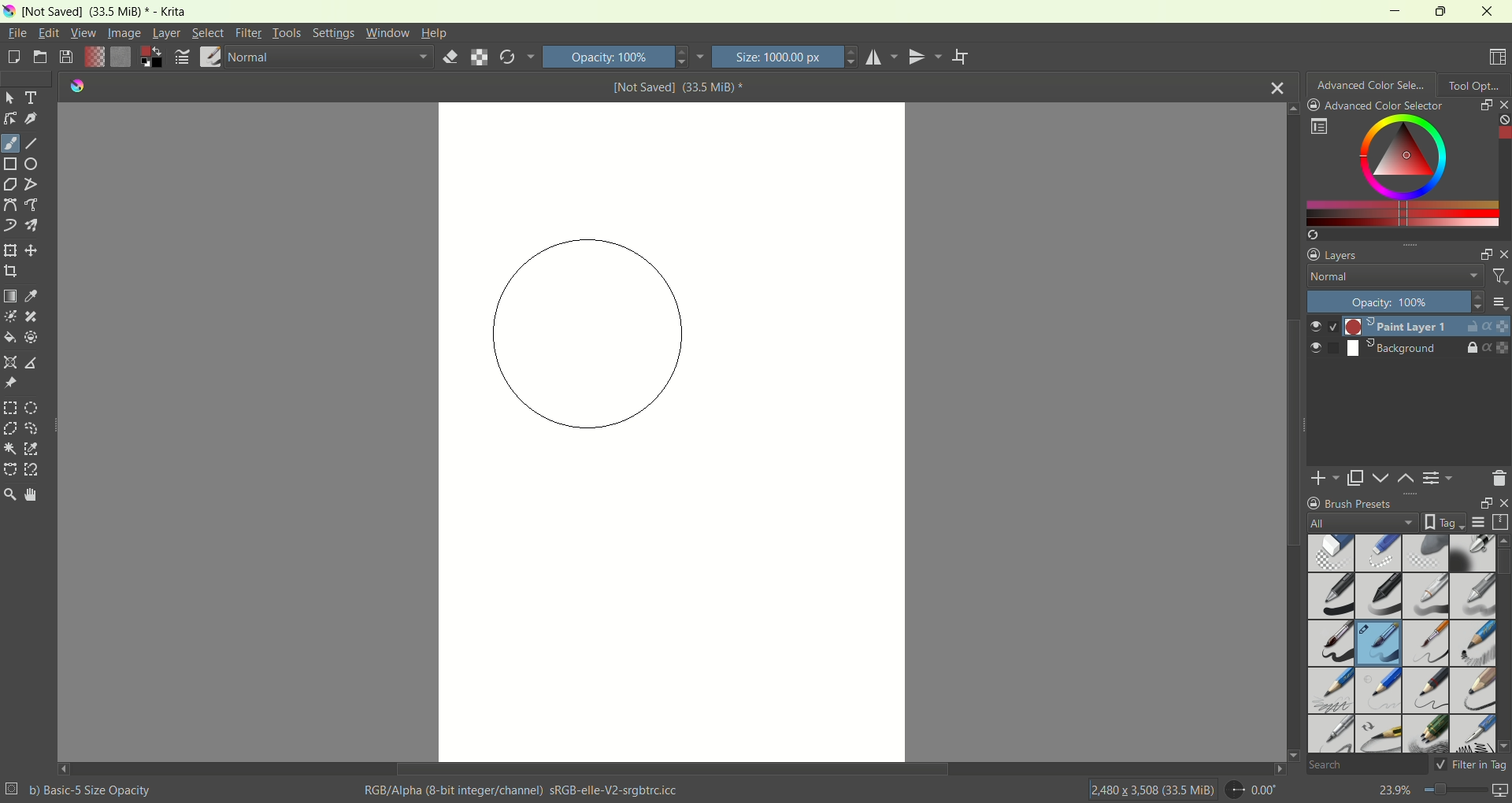 Image resolution: width=1512 pixels, height=803 pixels. I want to click on preserve alpha, so click(480, 58).